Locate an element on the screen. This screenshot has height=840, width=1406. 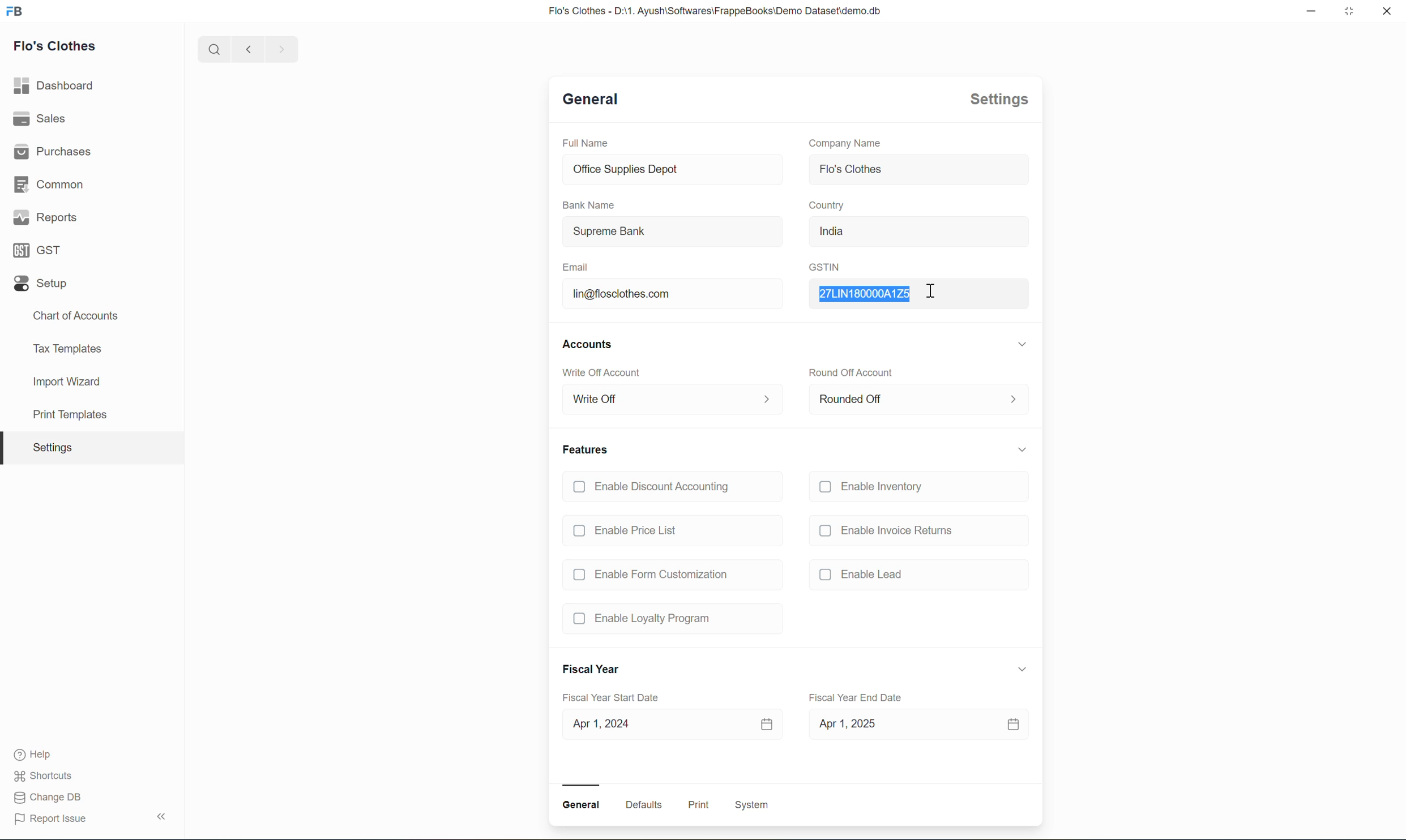
Supreme Bank is located at coordinates (673, 232).